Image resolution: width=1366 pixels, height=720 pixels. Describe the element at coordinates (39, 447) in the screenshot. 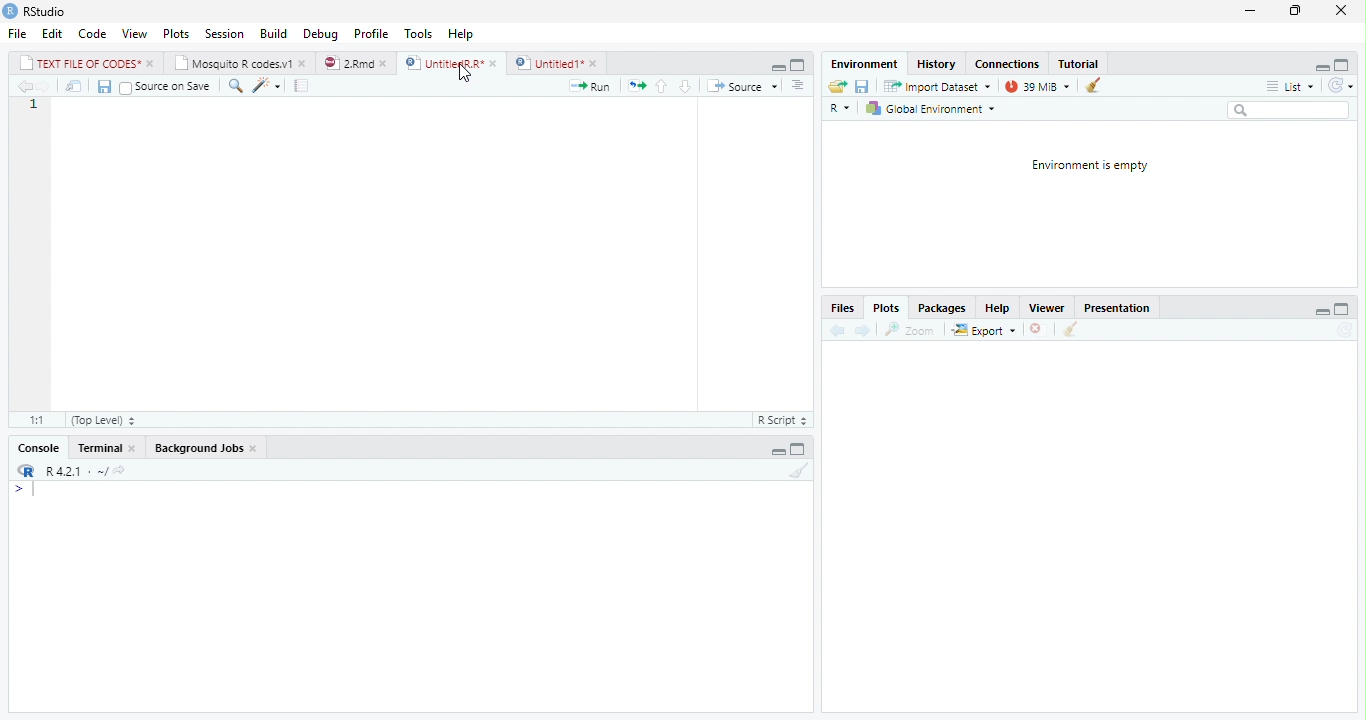

I see `Console` at that location.